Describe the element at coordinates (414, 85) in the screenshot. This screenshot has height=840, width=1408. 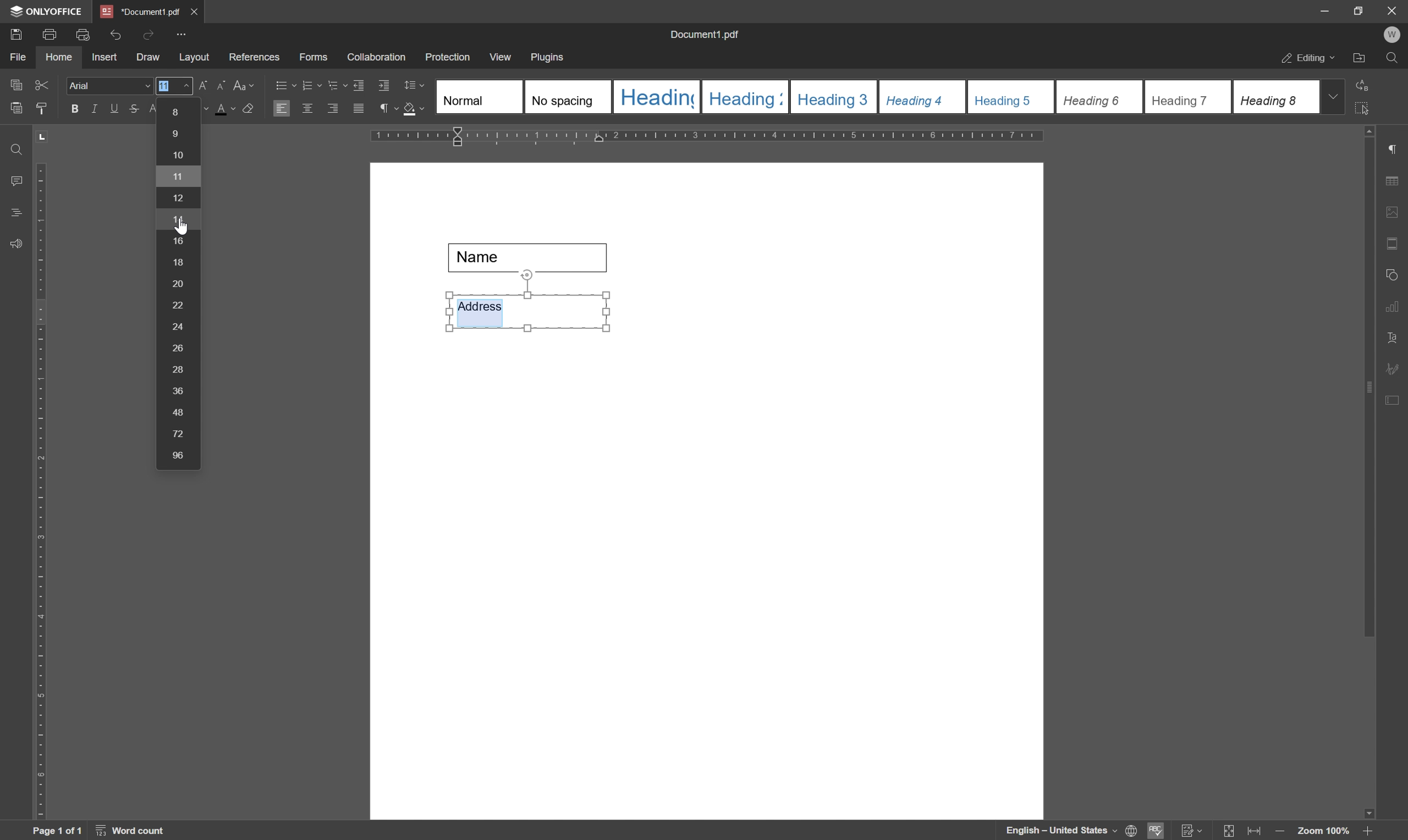
I see `line spacing` at that location.